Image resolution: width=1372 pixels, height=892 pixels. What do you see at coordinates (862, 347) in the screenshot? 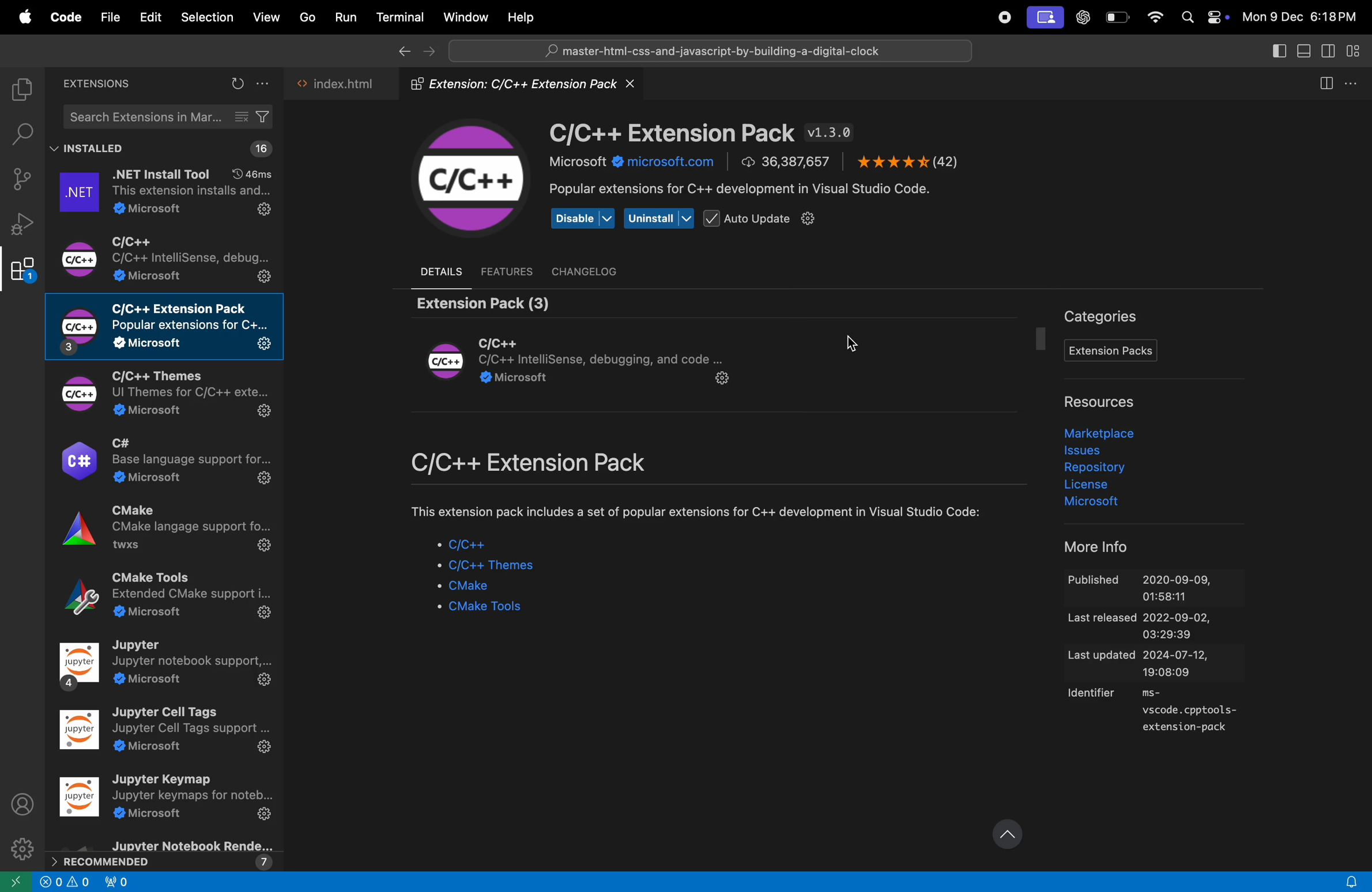
I see `cursor` at bounding box center [862, 347].